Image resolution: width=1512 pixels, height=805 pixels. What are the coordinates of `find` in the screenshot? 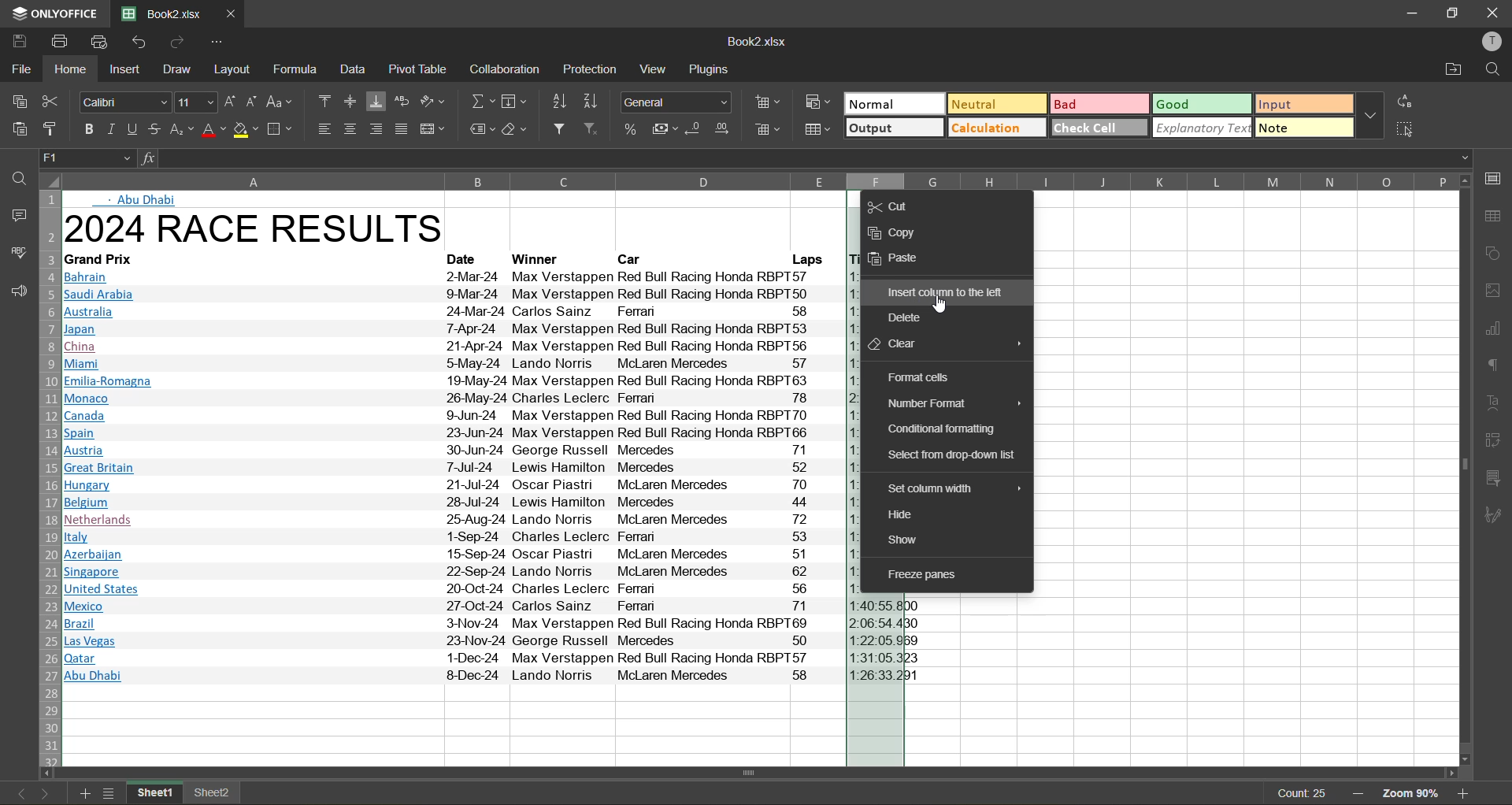 It's located at (13, 180).